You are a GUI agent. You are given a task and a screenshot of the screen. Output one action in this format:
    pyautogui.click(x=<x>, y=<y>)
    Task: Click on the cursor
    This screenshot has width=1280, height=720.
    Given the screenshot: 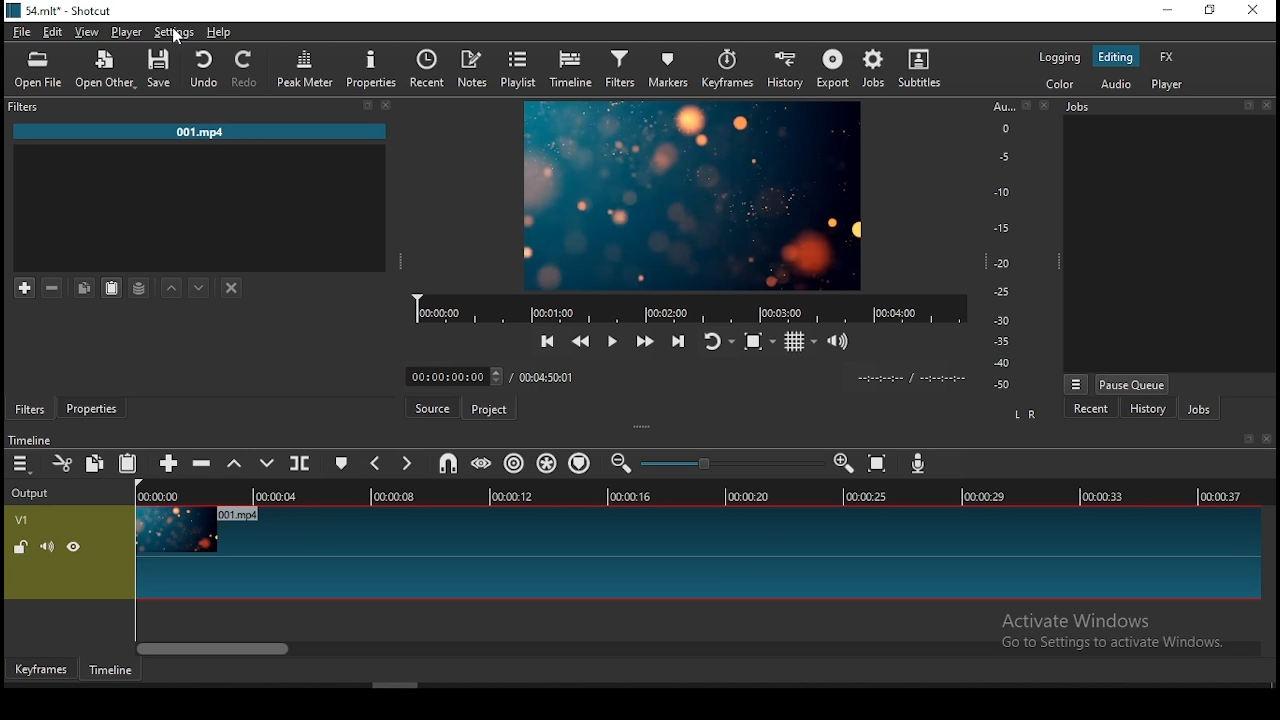 What is the action you would take?
    pyautogui.click(x=181, y=41)
    